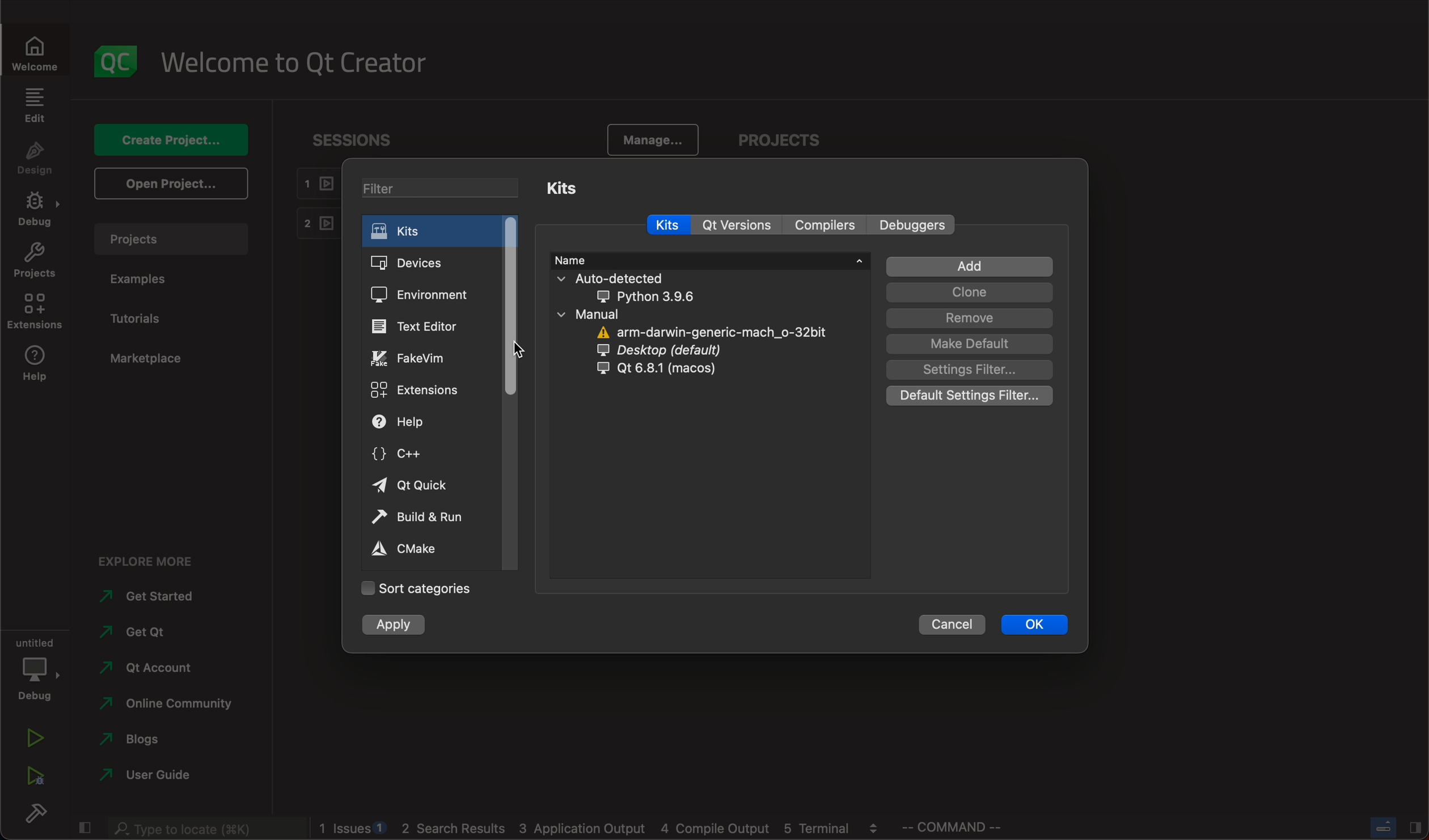 The image size is (1429, 840). What do you see at coordinates (969, 293) in the screenshot?
I see `clone` at bounding box center [969, 293].